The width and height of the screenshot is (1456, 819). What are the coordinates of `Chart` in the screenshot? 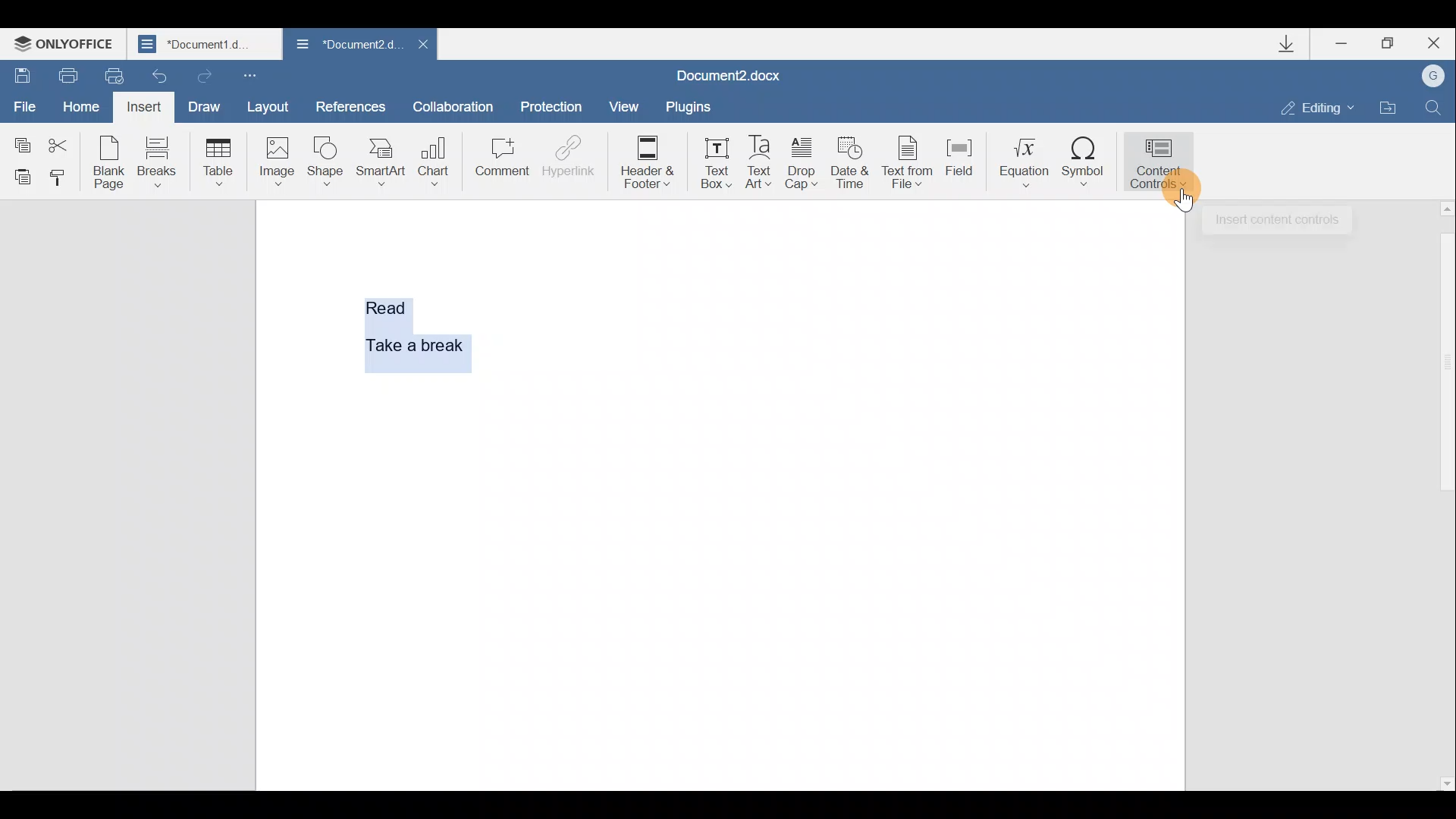 It's located at (437, 155).